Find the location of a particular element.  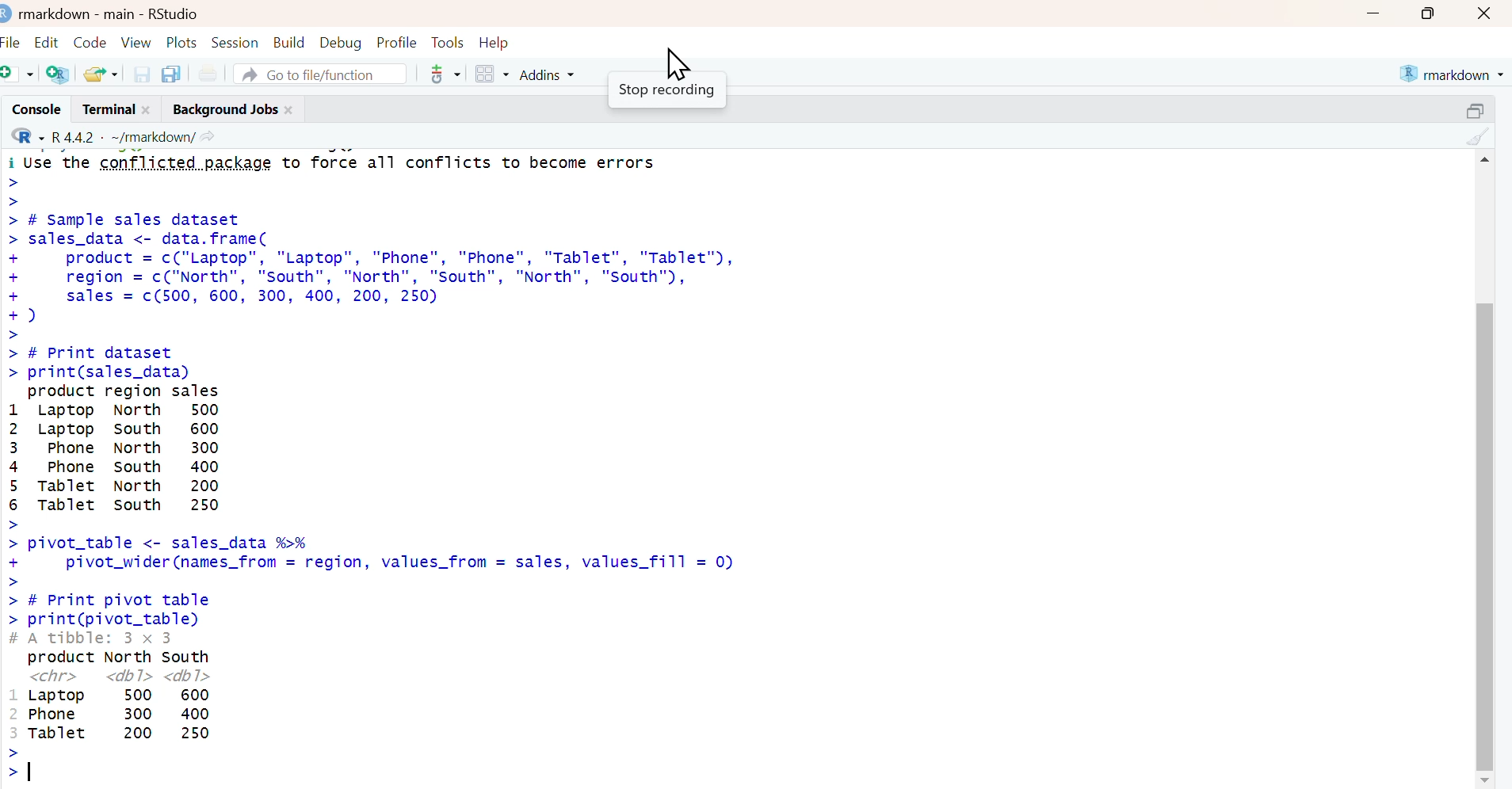

new file is located at coordinates (19, 73).